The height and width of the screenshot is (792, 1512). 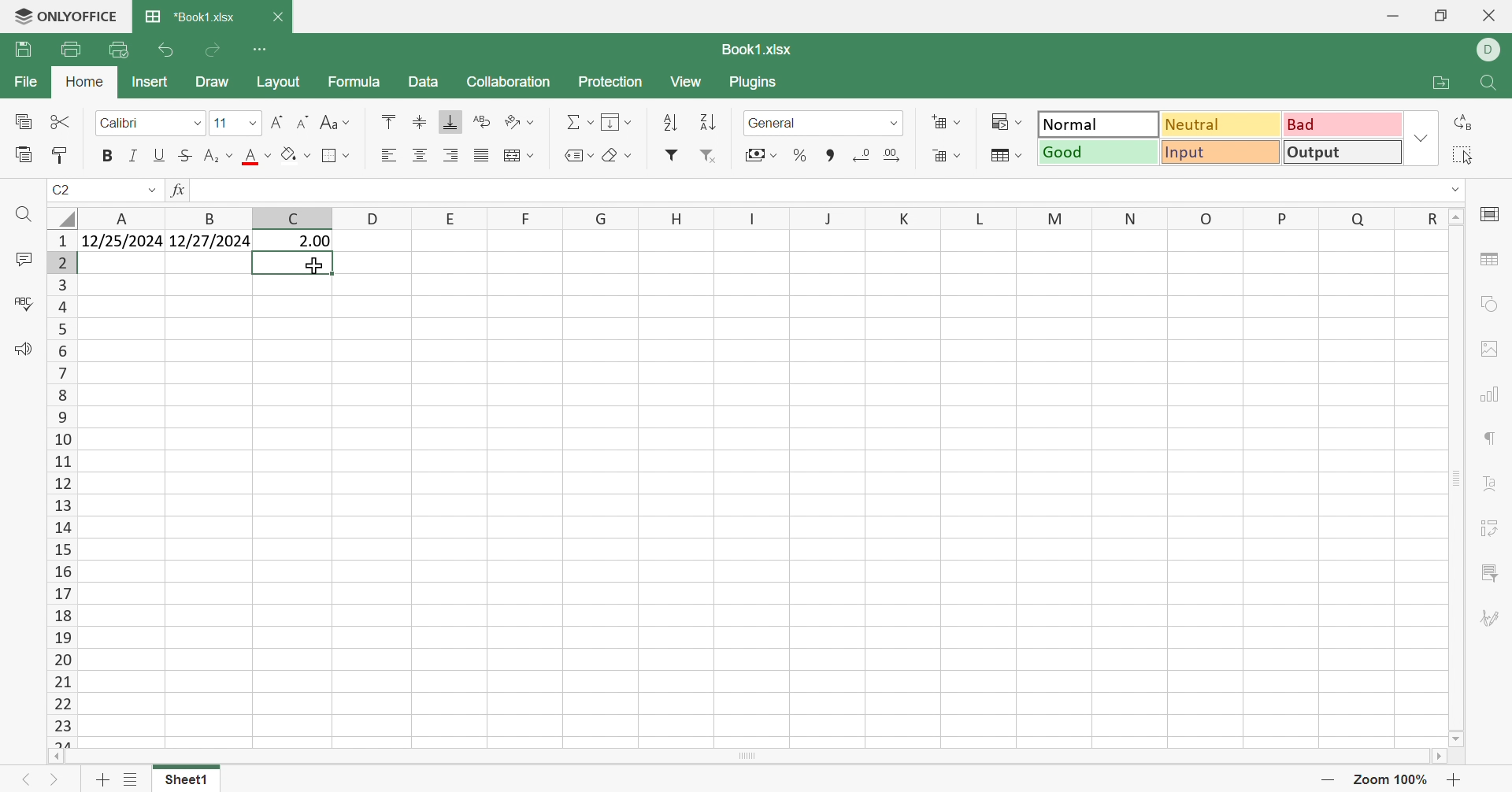 I want to click on Calibri, so click(x=125, y=124).